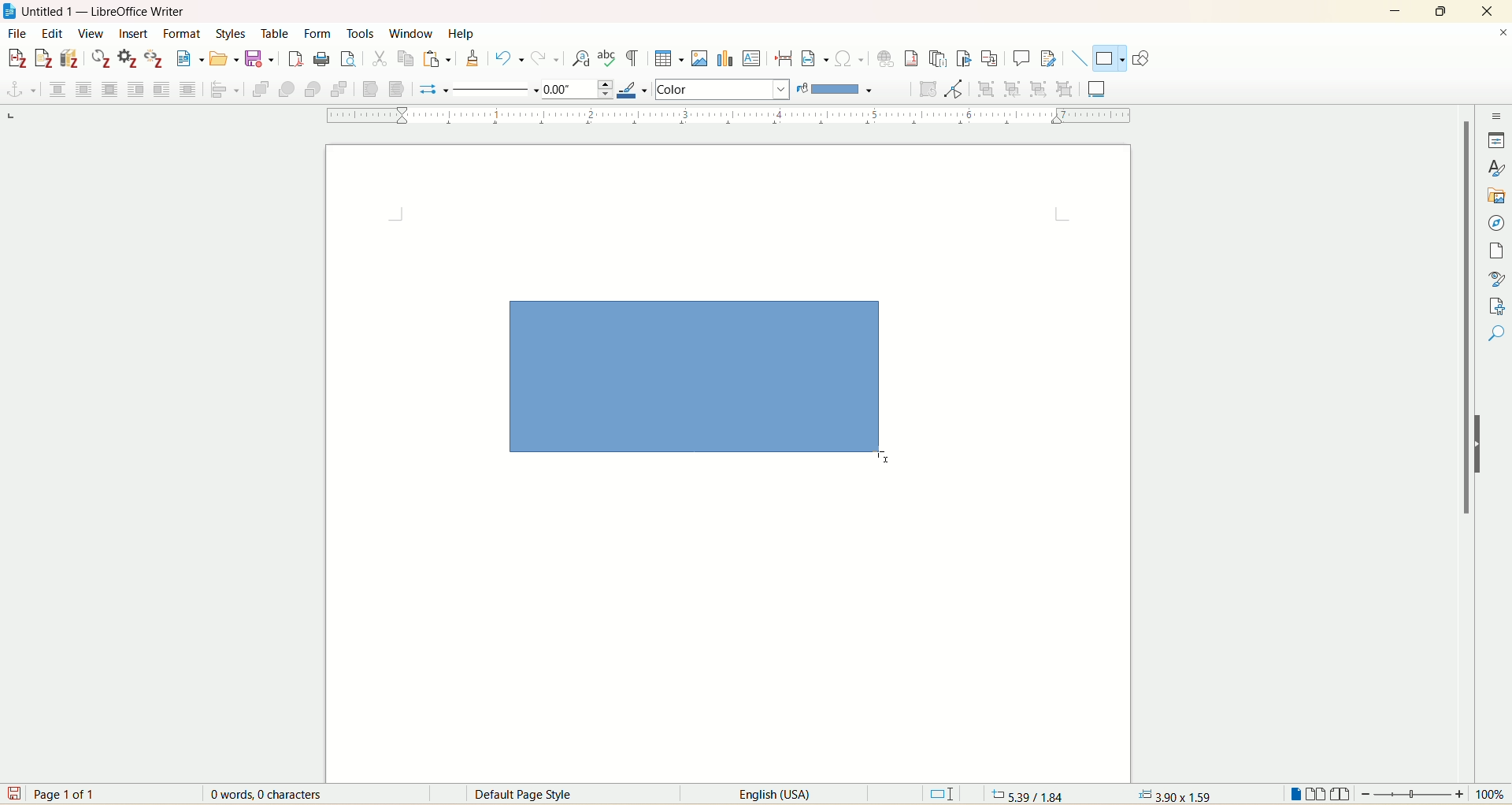 This screenshot has width=1512, height=805. Describe the element at coordinates (1295, 793) in the screenshot. I see `single page view` at that location.